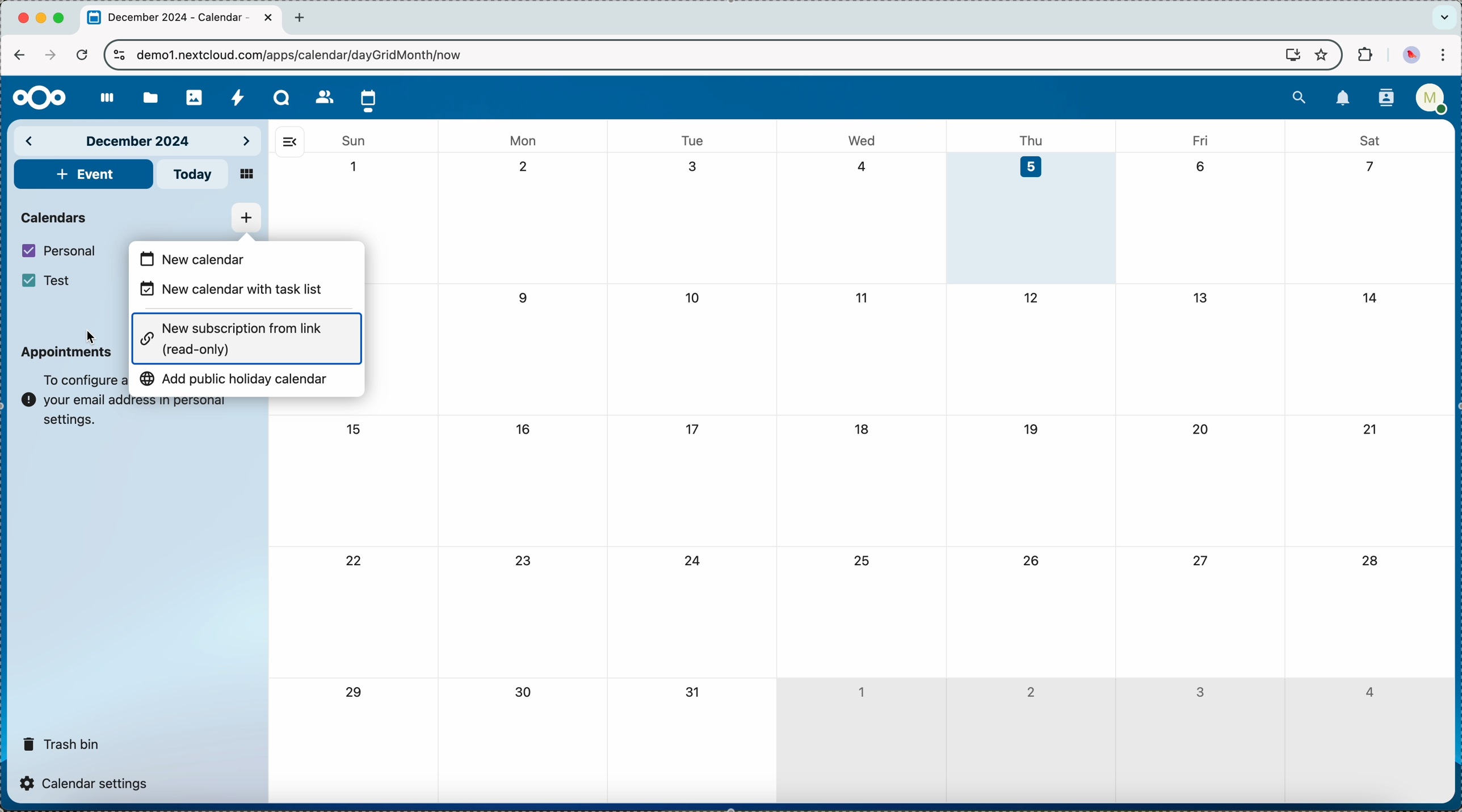  Describe the element at coordinates (352, 693) in the screenshot. I see `29` at that location.